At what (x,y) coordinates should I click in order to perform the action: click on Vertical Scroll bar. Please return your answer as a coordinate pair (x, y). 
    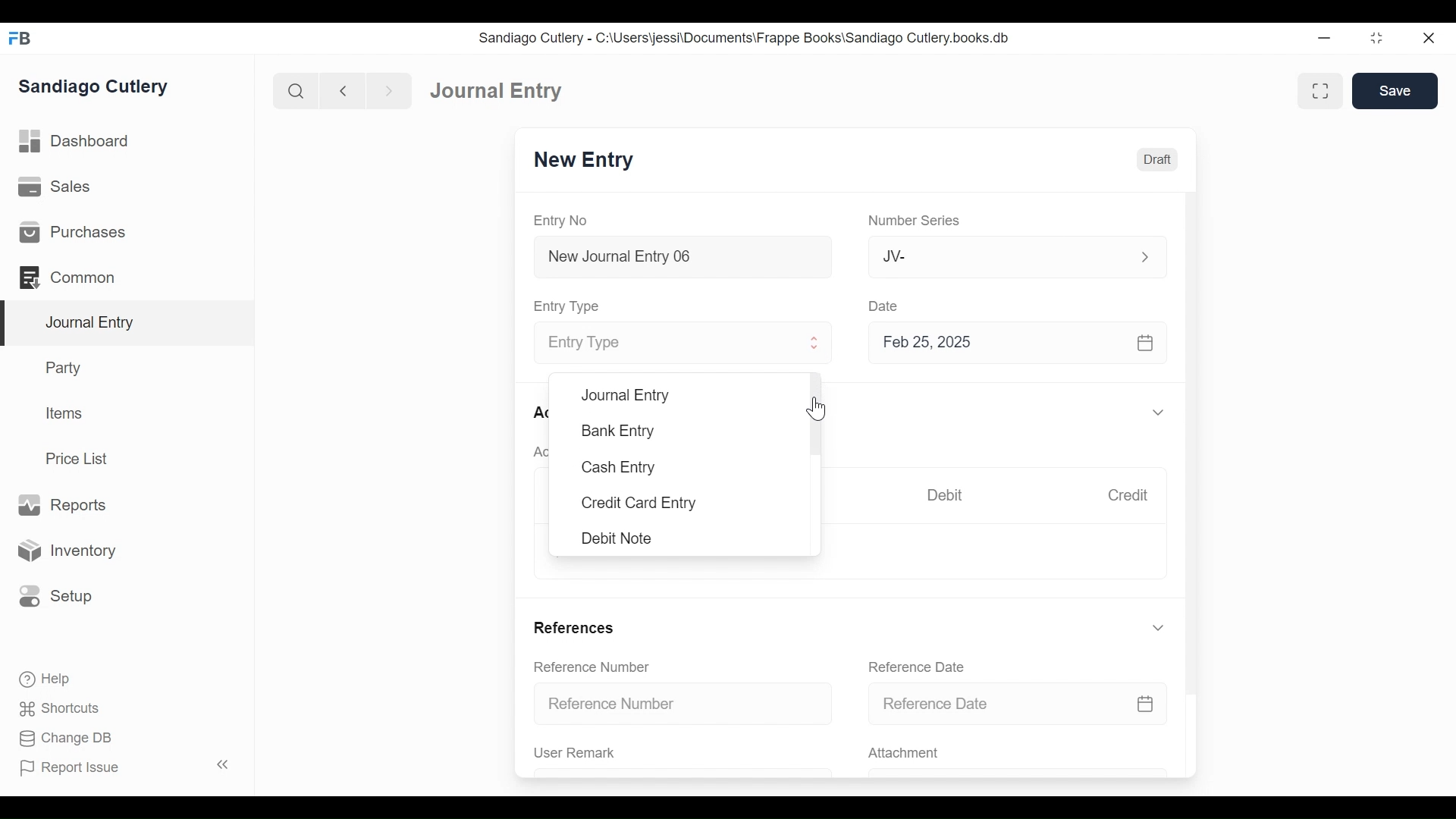
    Looking at the image, I should click on (1193, 431).